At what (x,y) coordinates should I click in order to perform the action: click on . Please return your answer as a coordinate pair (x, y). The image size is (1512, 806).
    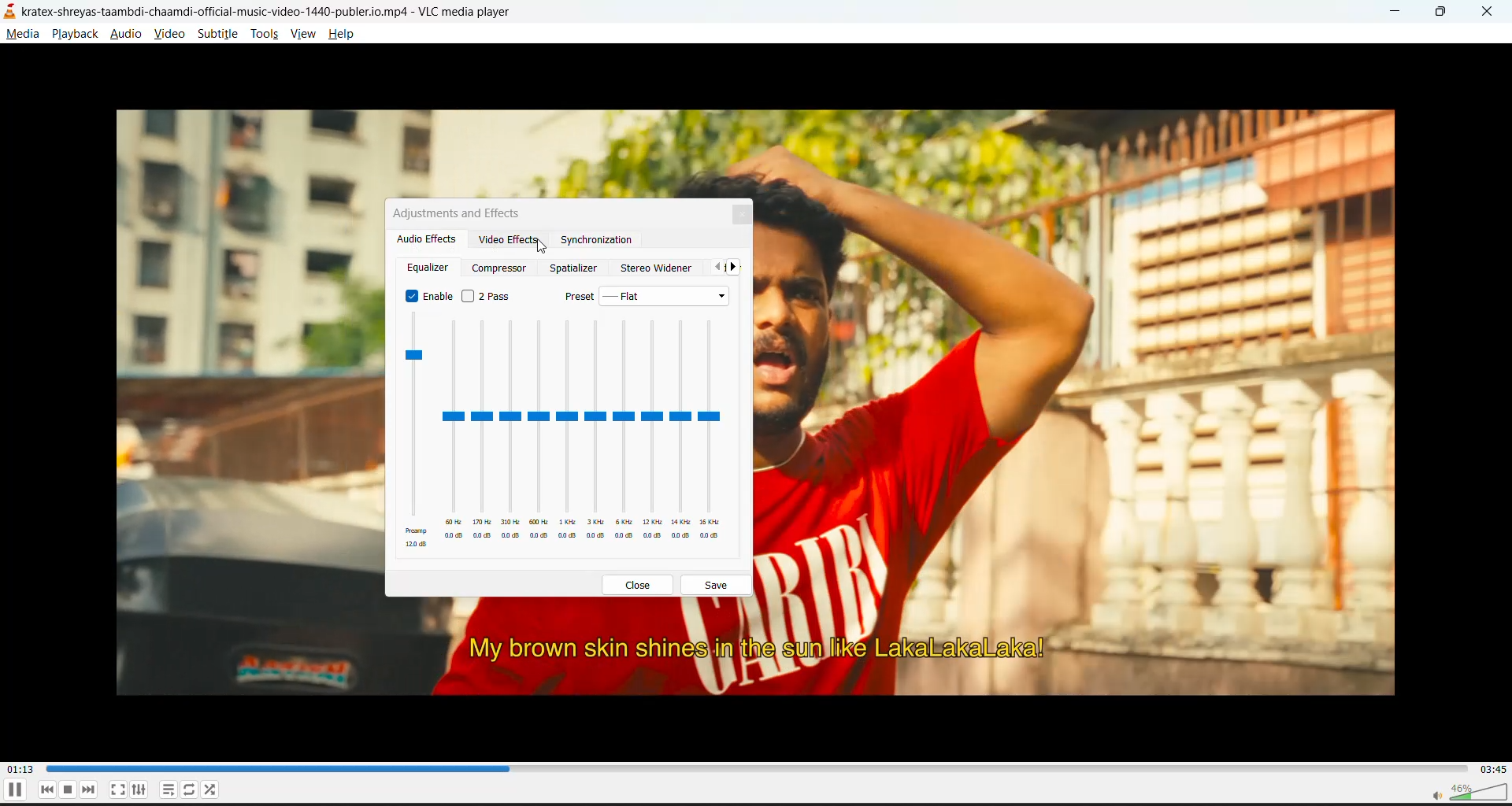
    Looking at the image, I should click on (628, 430).